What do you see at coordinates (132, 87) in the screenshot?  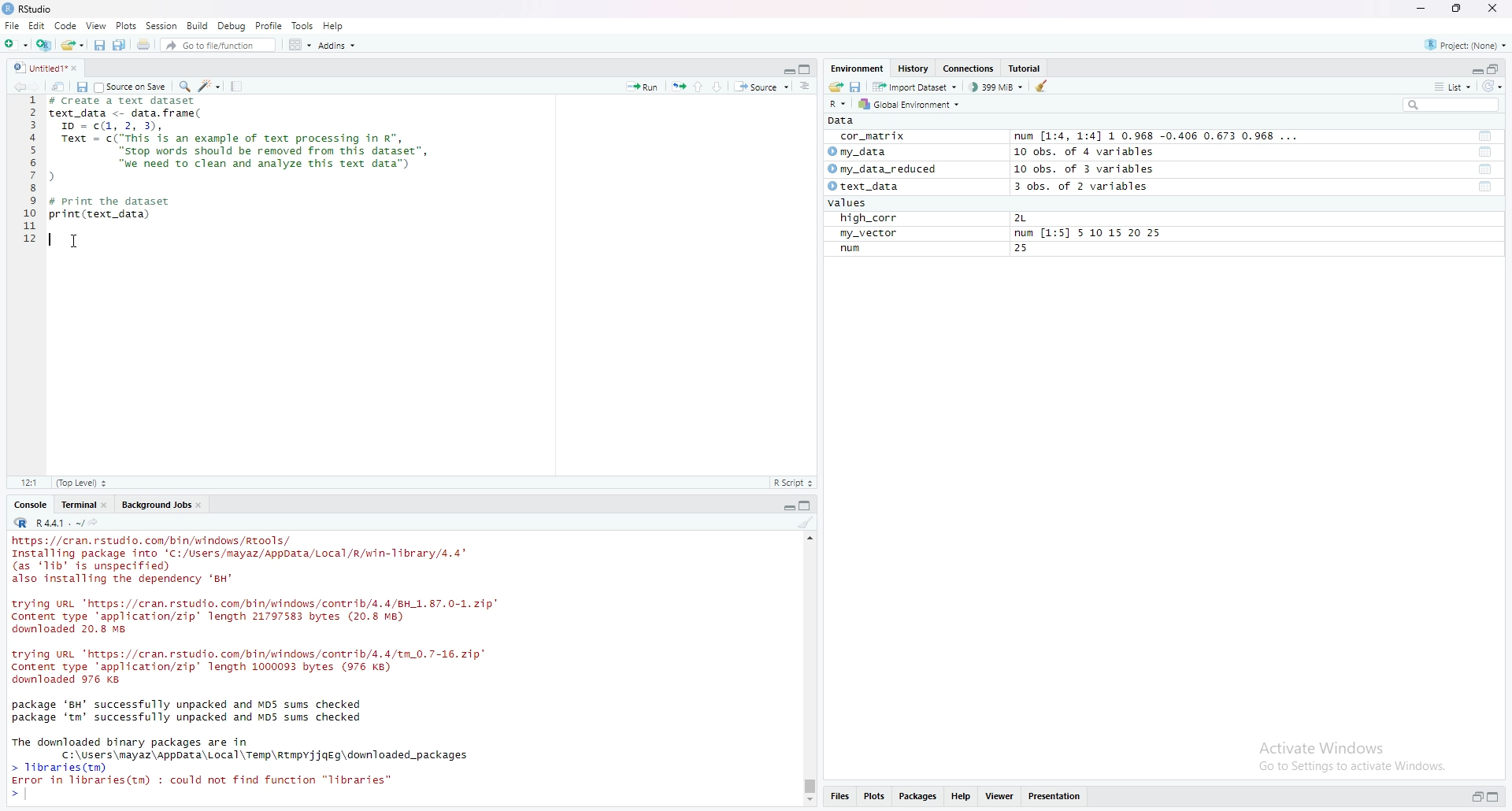 I see `source on save` at bounding box center [132, 87].